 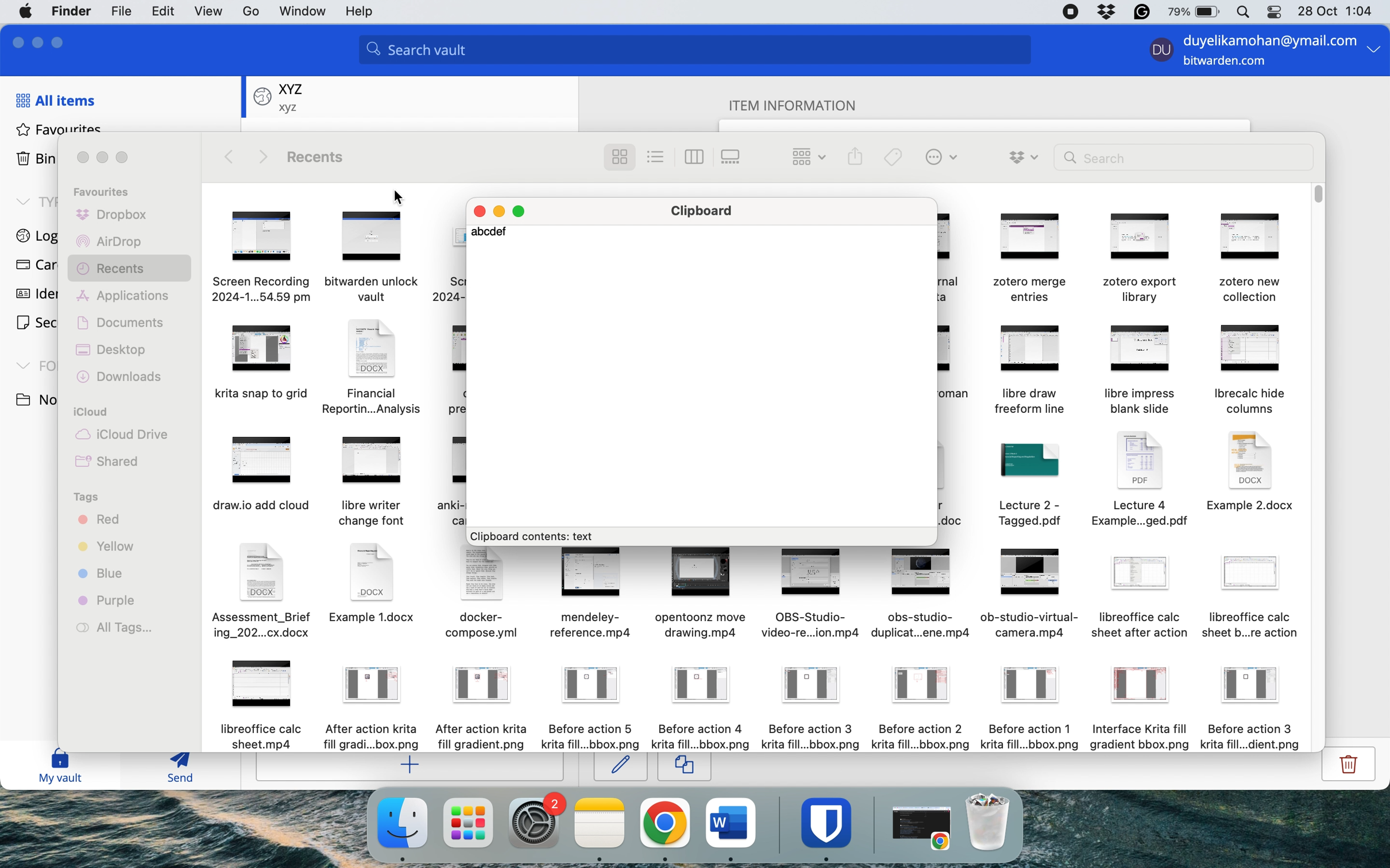 What do you see at coordinates (894, 157) in the screenshot?
I see `edit tags` at bounding box center [894, 157].